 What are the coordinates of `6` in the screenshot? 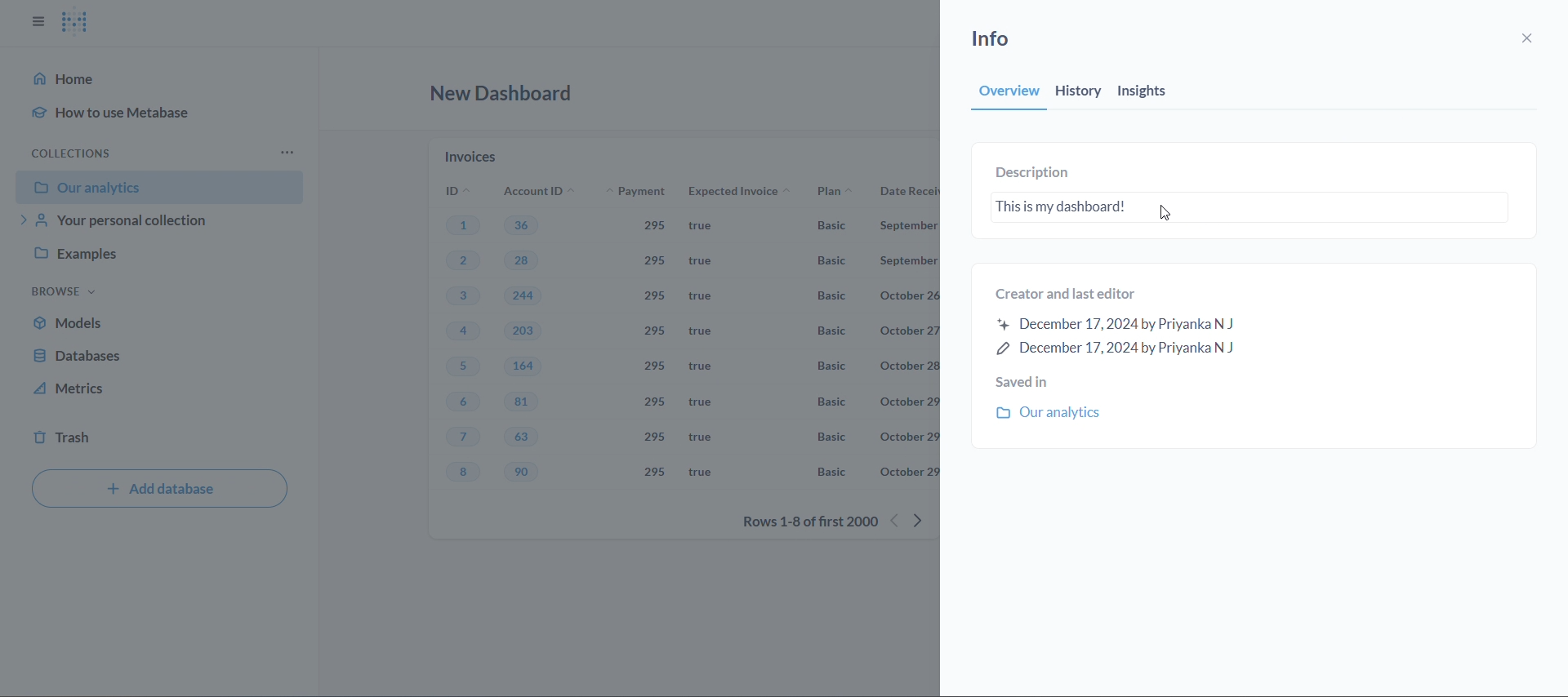 It's located at (462, 403).